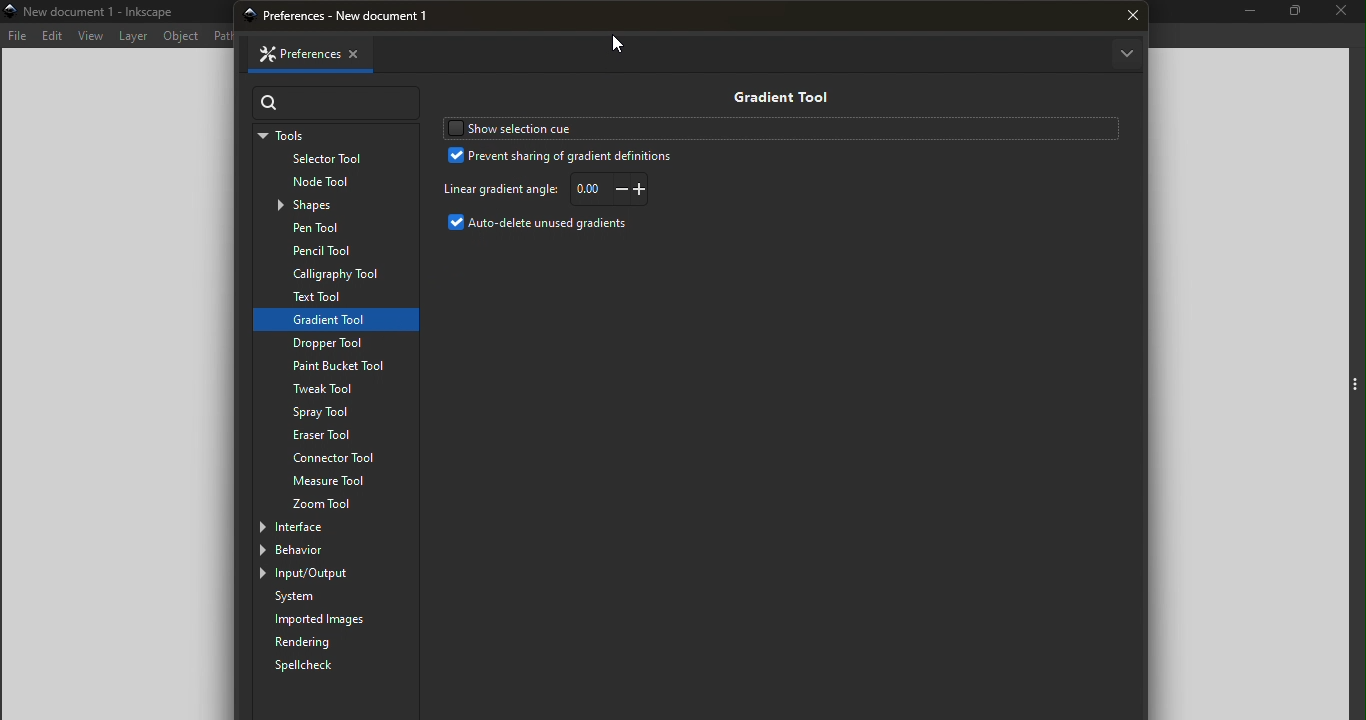  Describe the element at coordinates (336, 458) in the screenshot. I see `Connector tool` at that location.